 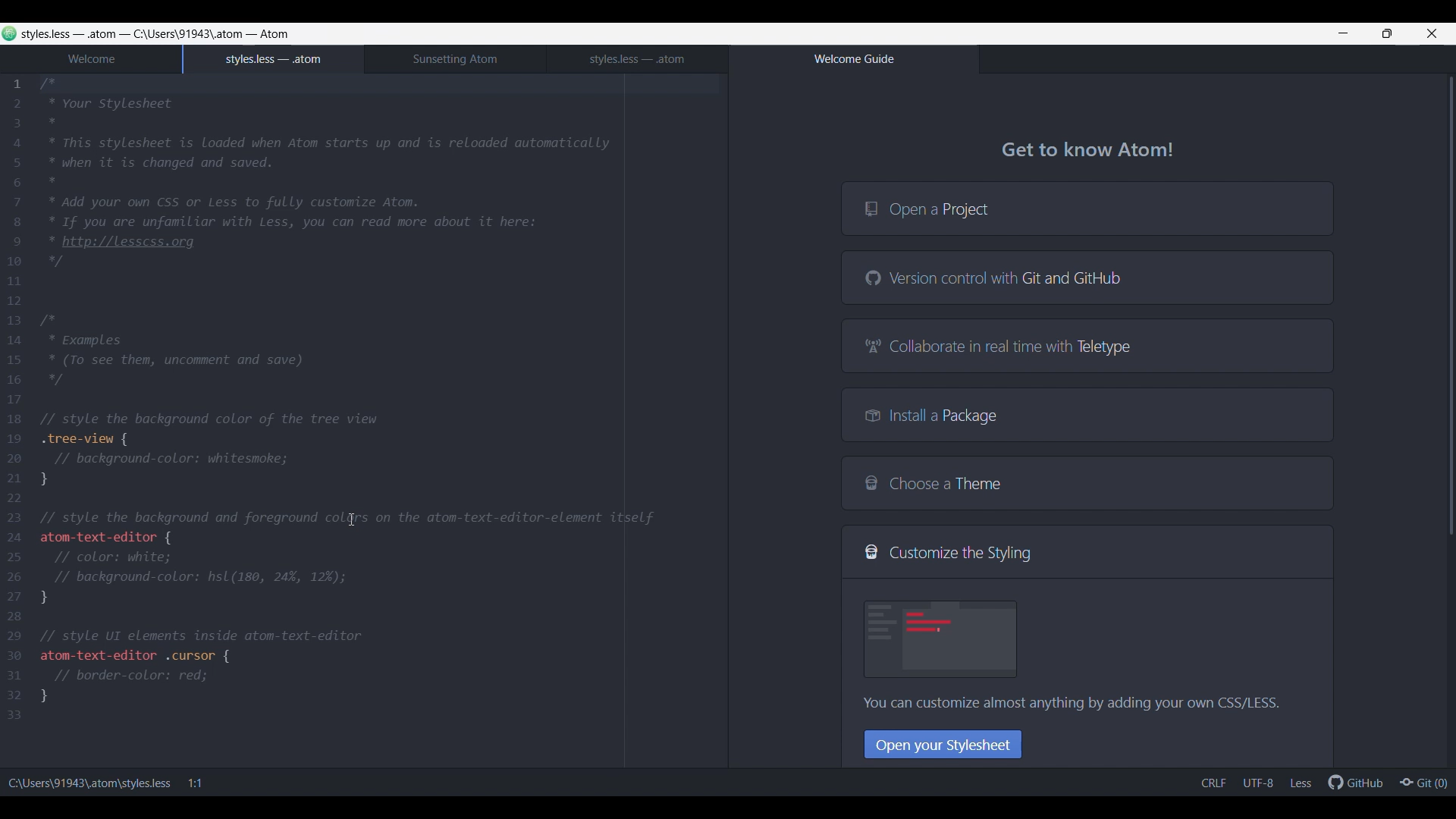 I want to click on ) * Your Stylesheet |
yx

1 * This stylesheet is loaded when Atom starts up and is reloaded automatically
> * when it is changed and saved.

ox

7 * Add your own CSS or Less to fully customize Atom.

}  * If you are unfamiliar with Less, you can read more about it here:
)  * http://lesscss.org

) Y

]

)

3 /x

3 * Examples

> * (To see them, uncomment and save)

5 Y/

4

3 // style the background color of the tree view

) .tree-view {

) // background-color: whitesmoke;

L}

)

;  // style the background and foreground coldrs on the atom-text-editor-element itself
© atom-text-editor {

3 // color: white;

> // background-color: hsl(180, 24%, 12%);

fh

]

) // style UI elements inside atom-text-editor

)  atom-text-editor .cursor {

L // border-color: red;

>}

3, so click(x=354, y=401).